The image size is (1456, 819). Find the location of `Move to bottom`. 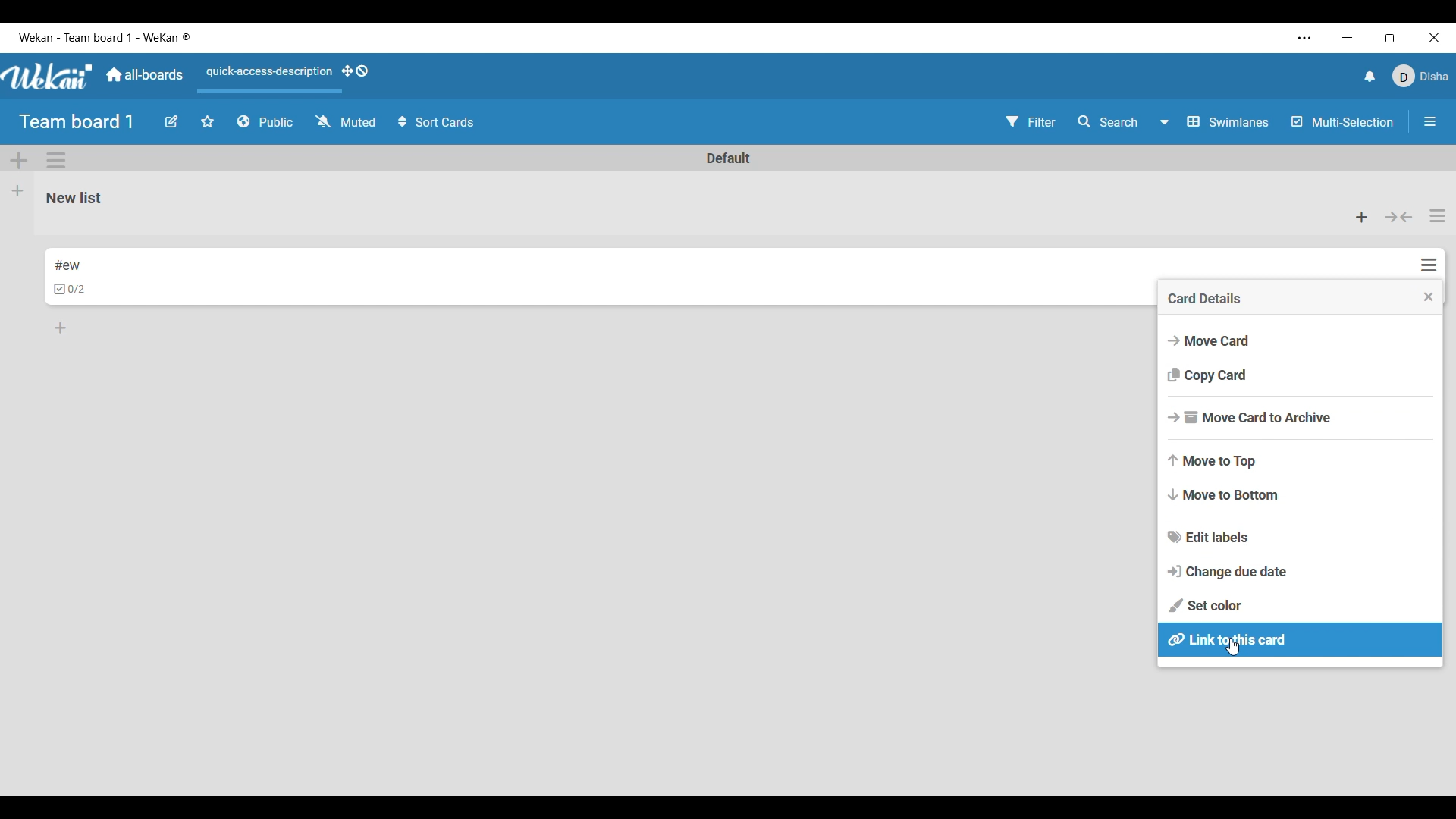

Move to bottom is located at coordinates (1300, 495).